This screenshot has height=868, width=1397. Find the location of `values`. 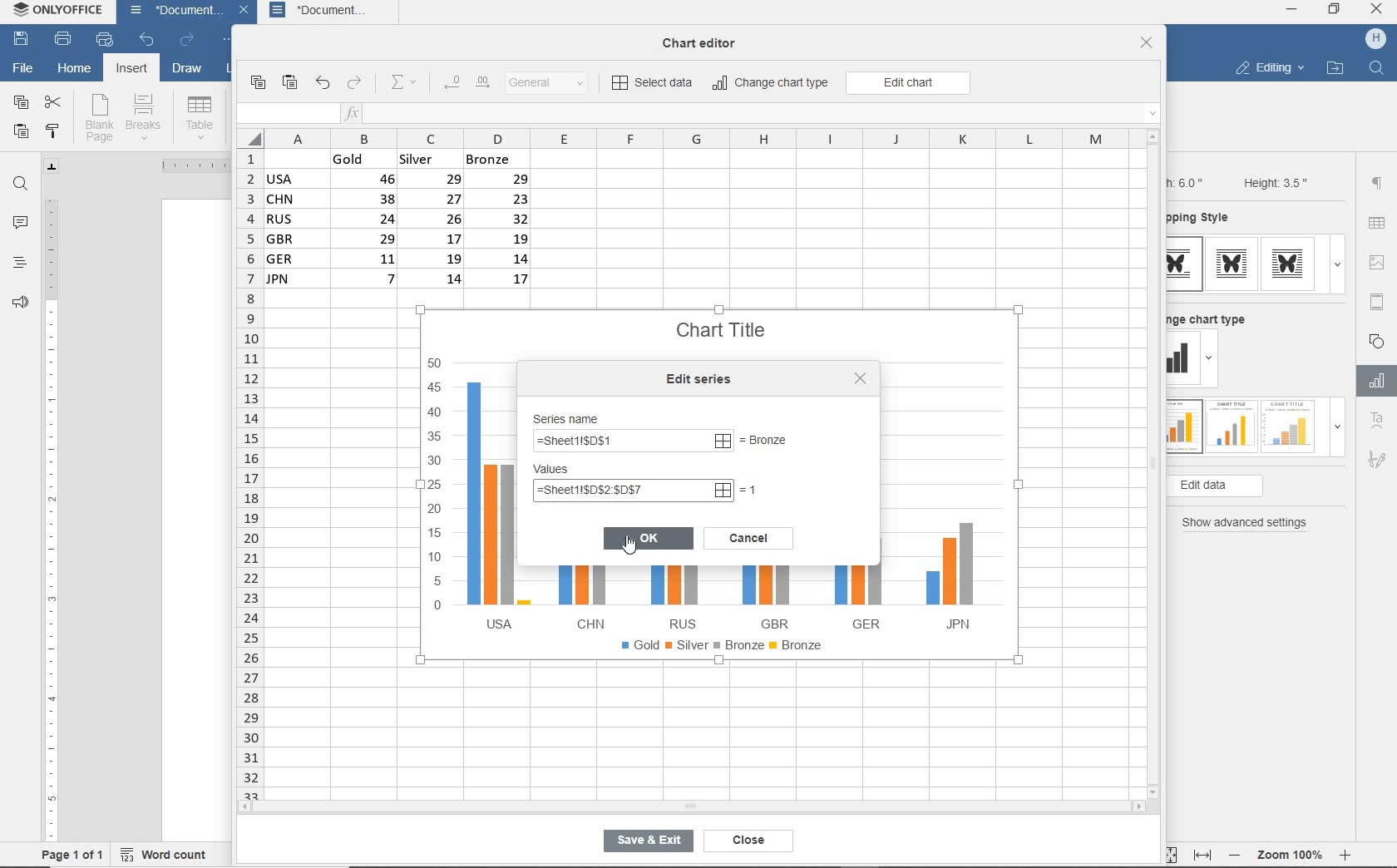

values is located at coordinates (568, 470).